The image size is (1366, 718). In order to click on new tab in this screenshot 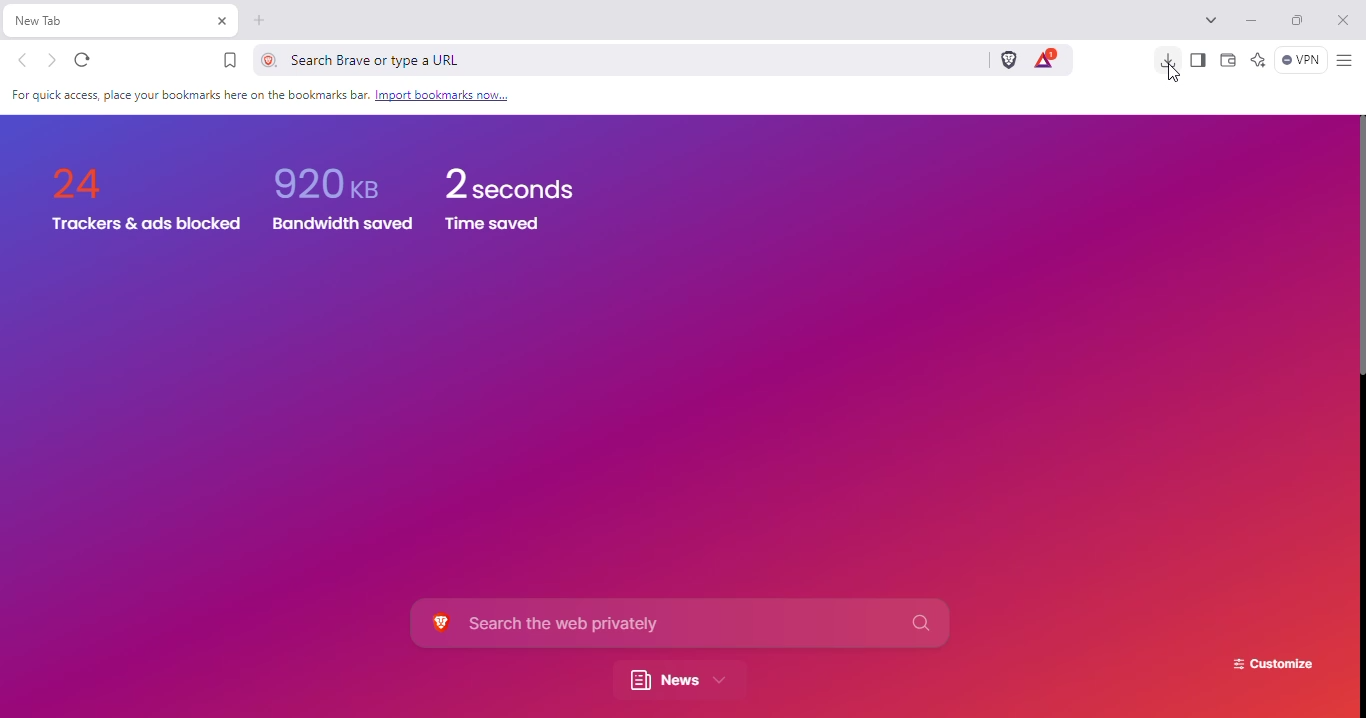, I will do `click(260, 21)`.